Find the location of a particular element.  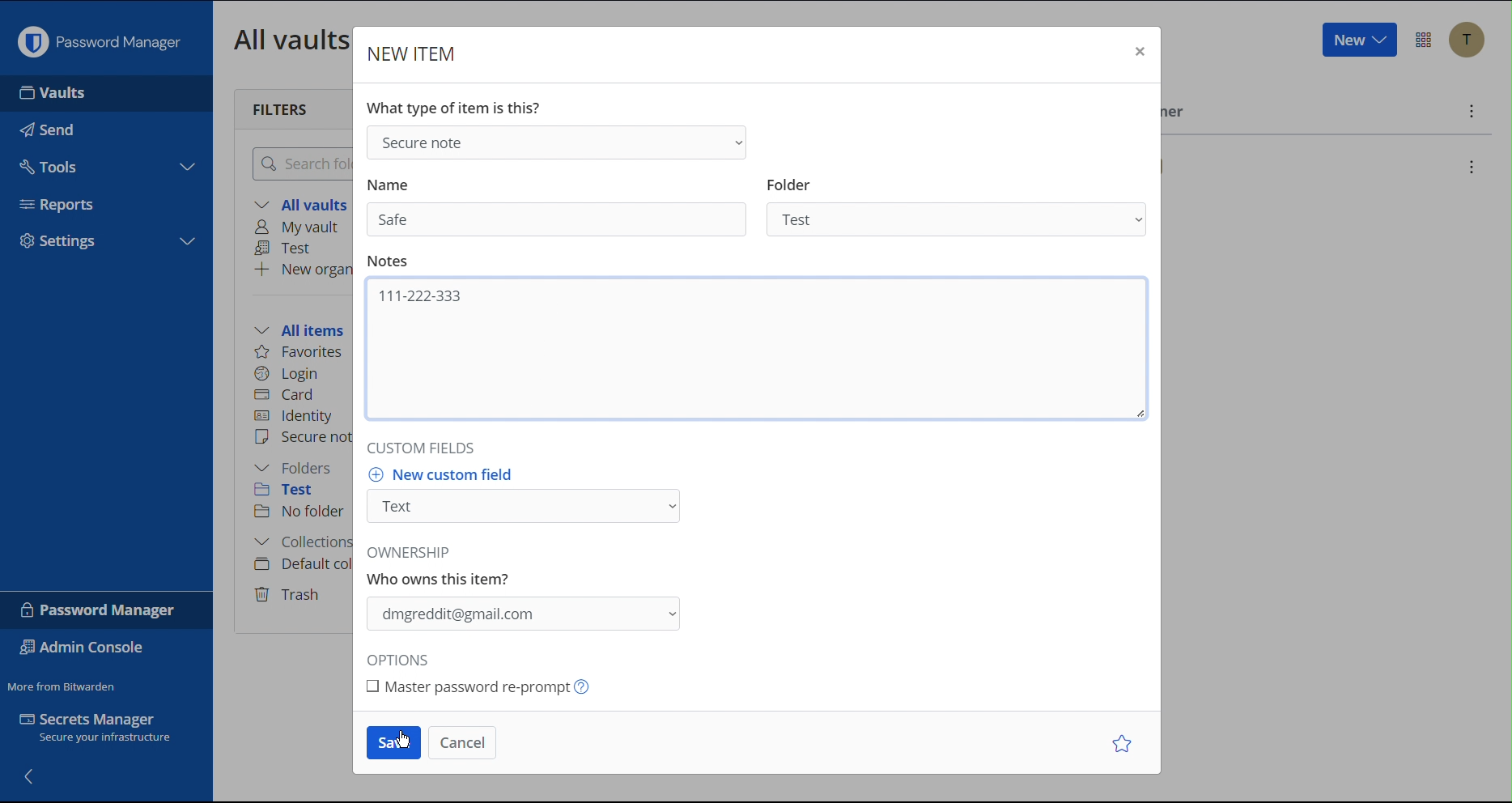

All items is located at coordinates (304, 328).